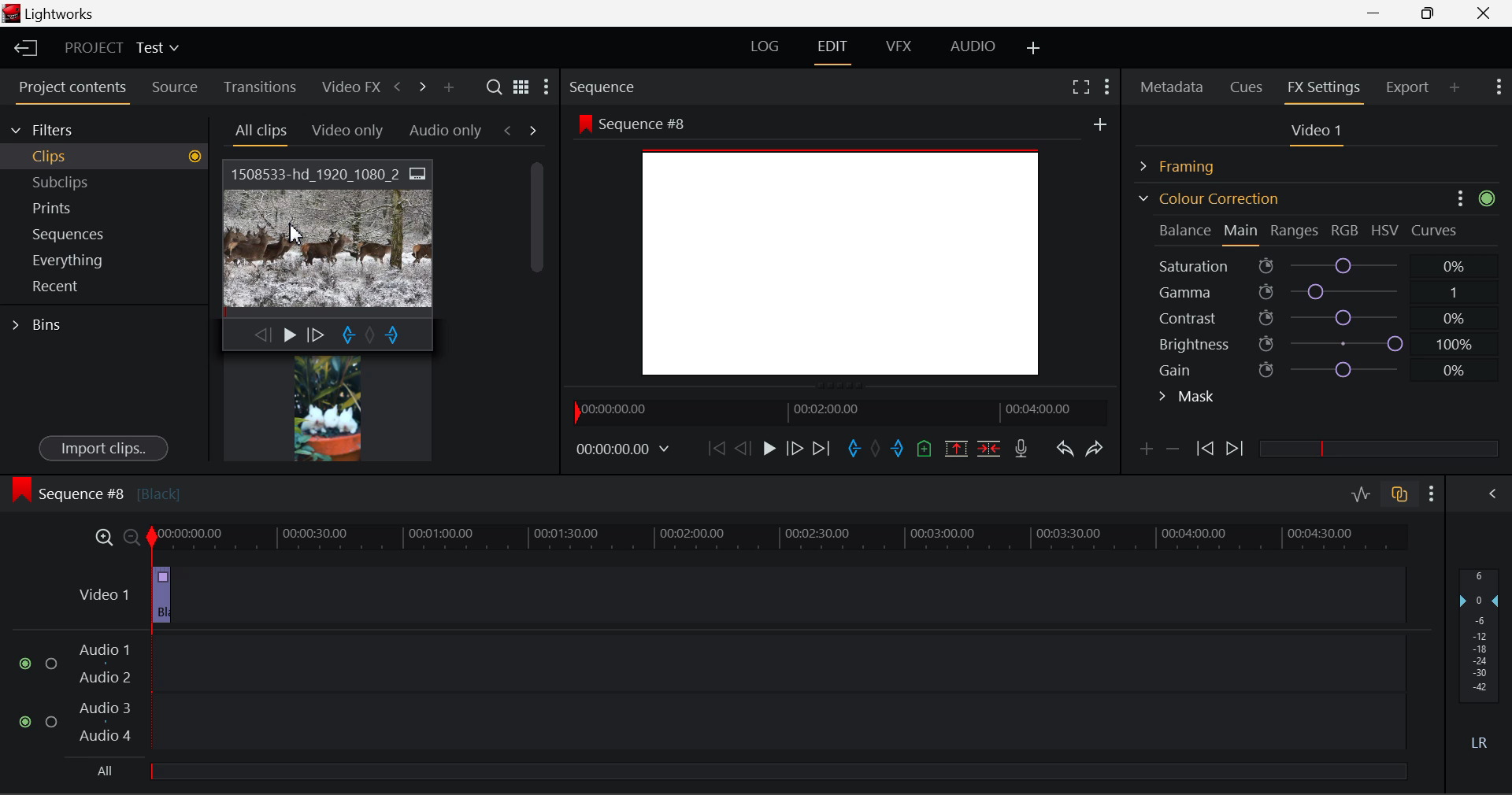 The image size is (1512, 795). I want to click on Show Settings, so click(1106, 84).